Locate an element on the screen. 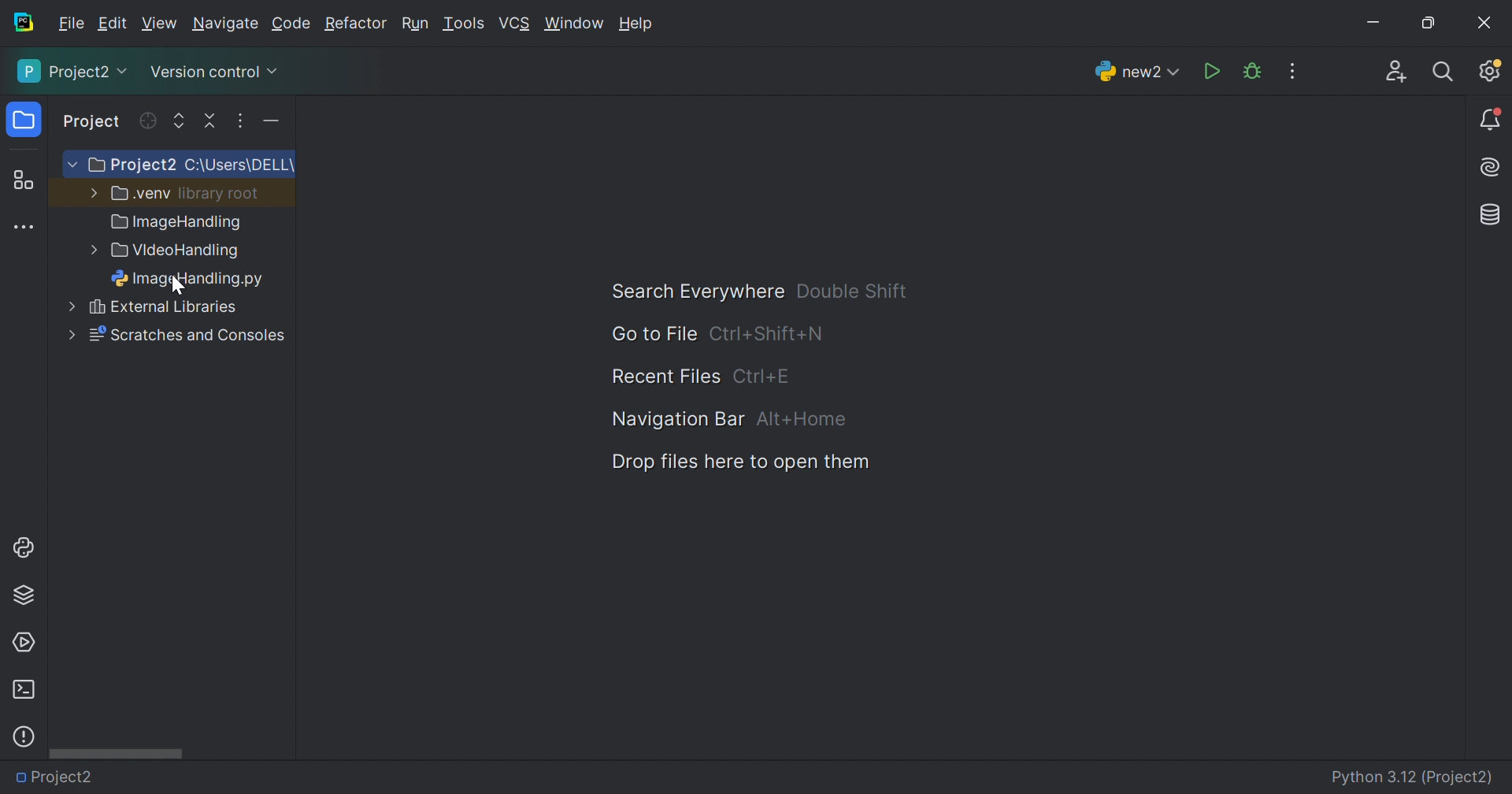  Minimize is located at coordinates (1378, 25).